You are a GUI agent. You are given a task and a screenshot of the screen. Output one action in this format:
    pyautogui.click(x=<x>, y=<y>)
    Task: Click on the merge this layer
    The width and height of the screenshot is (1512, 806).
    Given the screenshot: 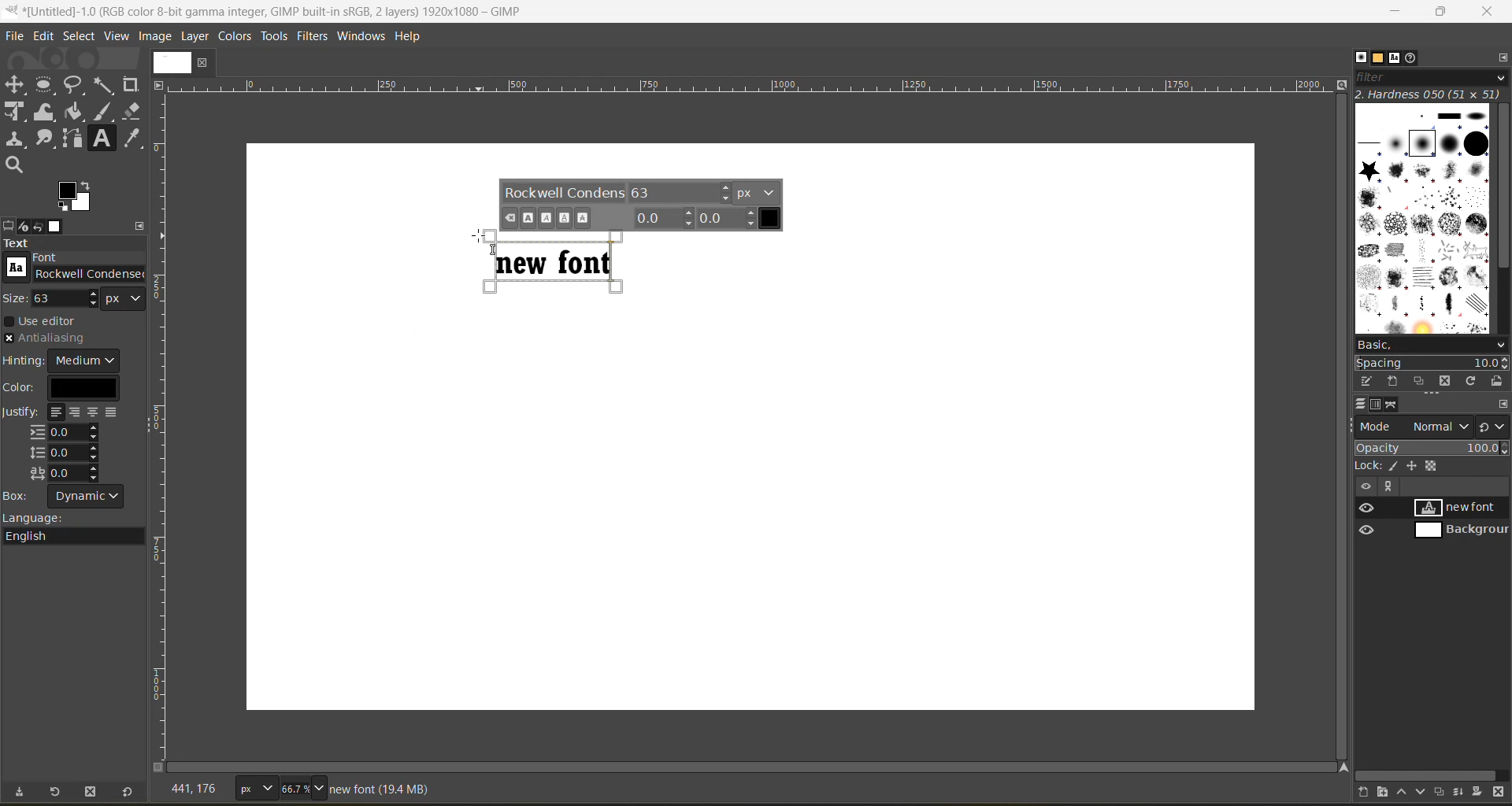 What is the action you would take?
    pyautogui.click(x=1464, y=793)
    